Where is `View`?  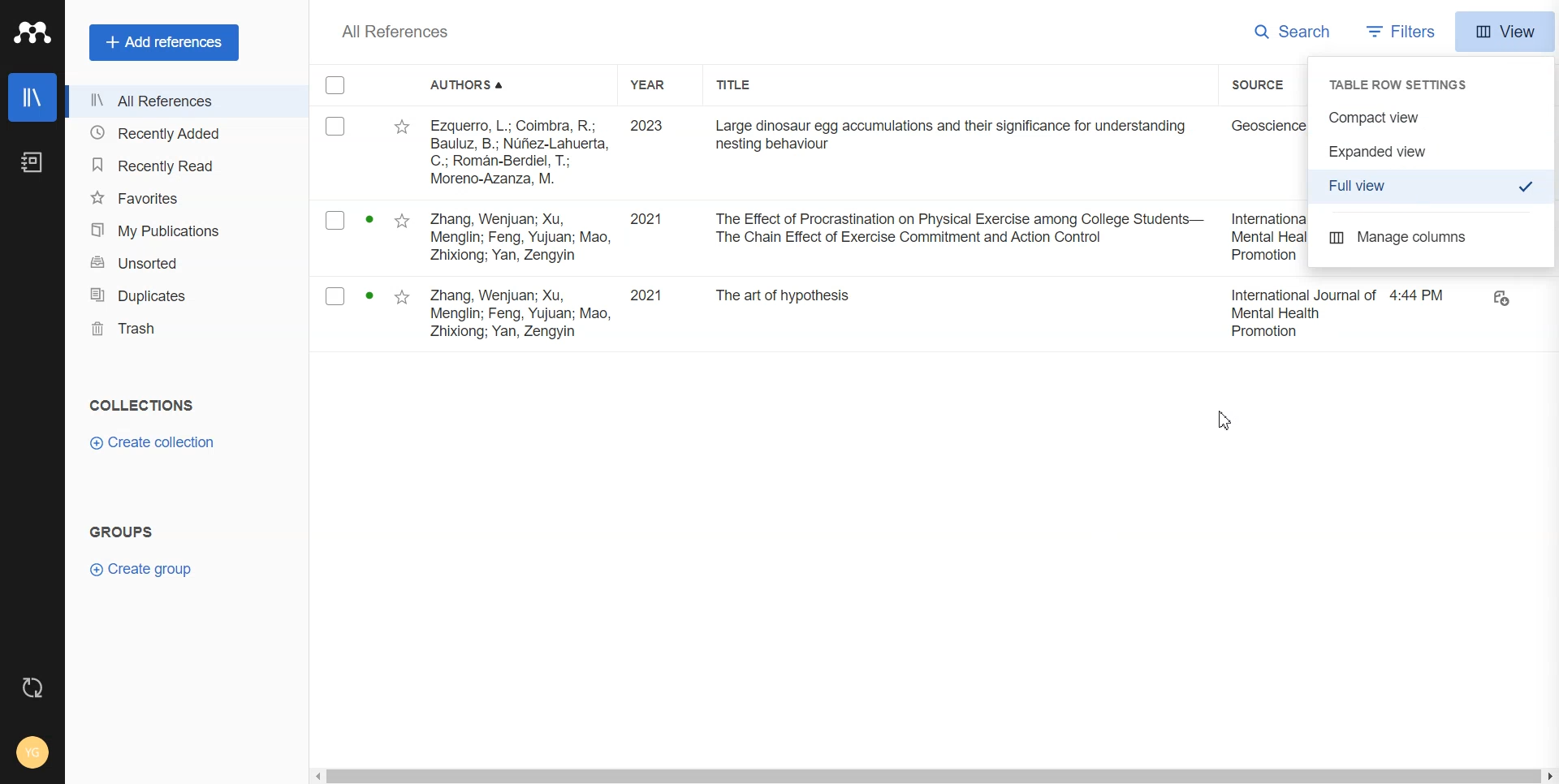 View is located at coordinates (1505, 32).